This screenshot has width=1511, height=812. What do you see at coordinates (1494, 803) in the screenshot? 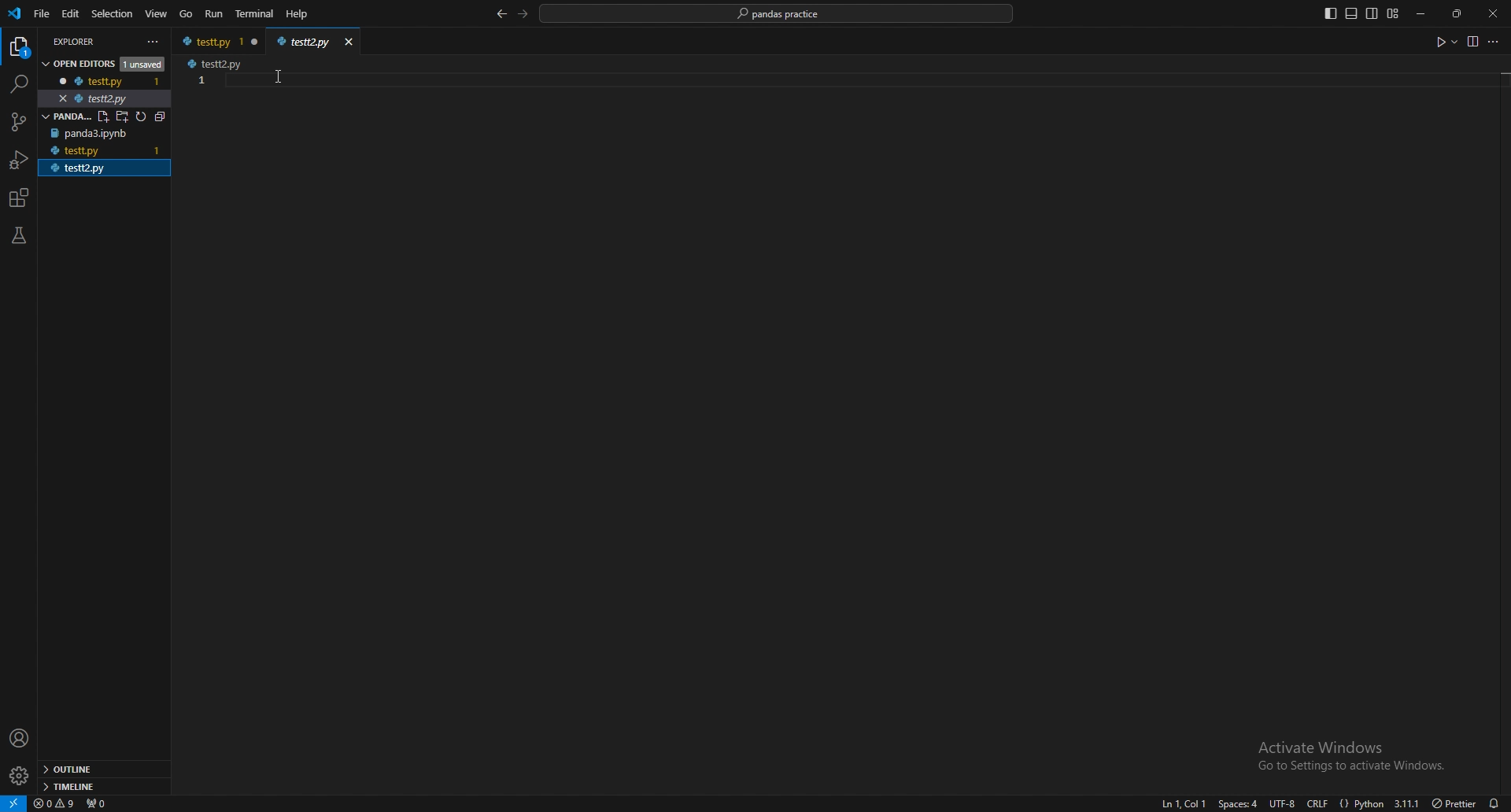
I see `alarms` at bounding box center [1494, 803].